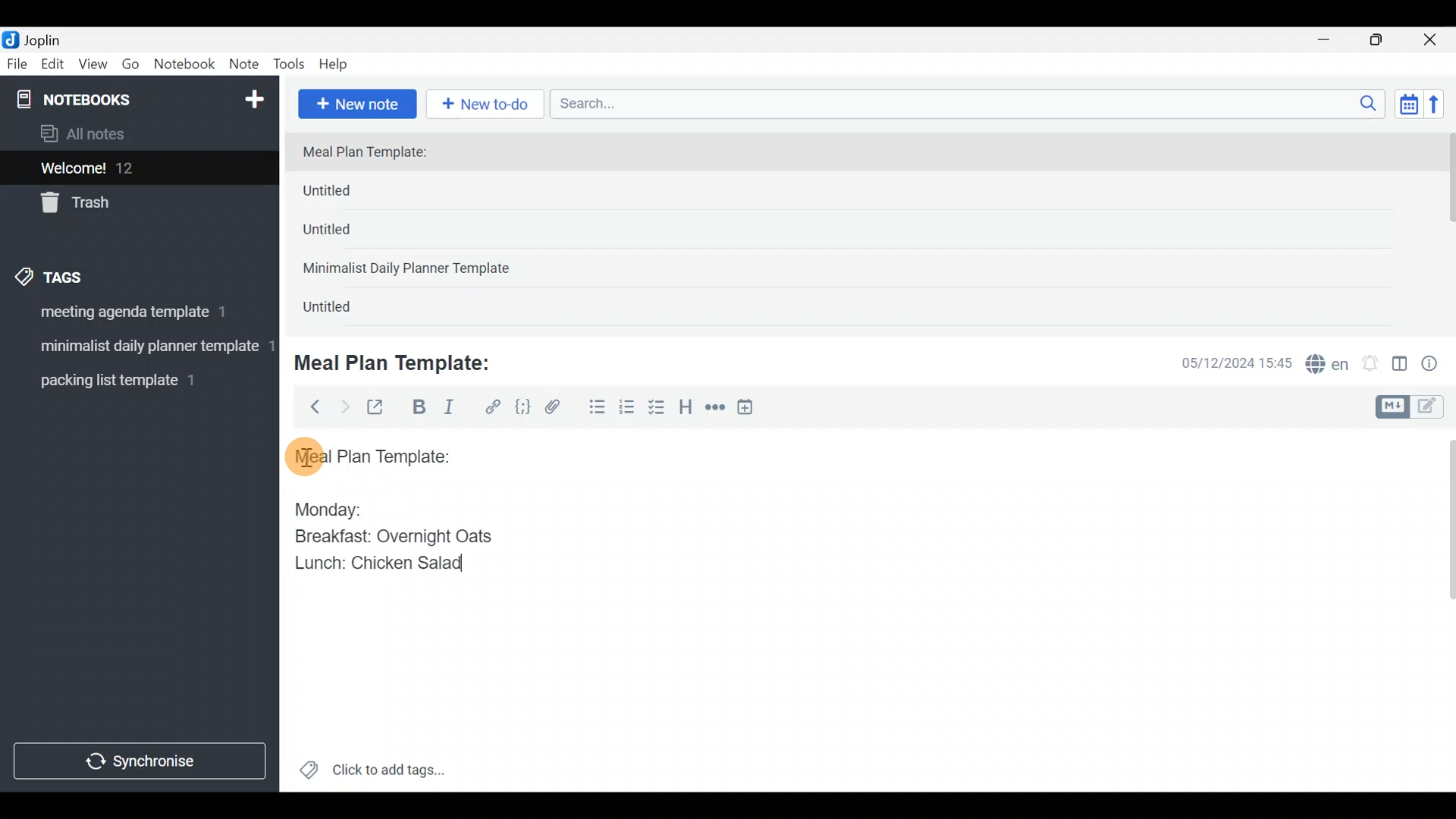 The height and width of the screenshot is (819, 1456). Describe the element at coordinates (471, 563) in the screenshot. I see `text Cursor` at that location.